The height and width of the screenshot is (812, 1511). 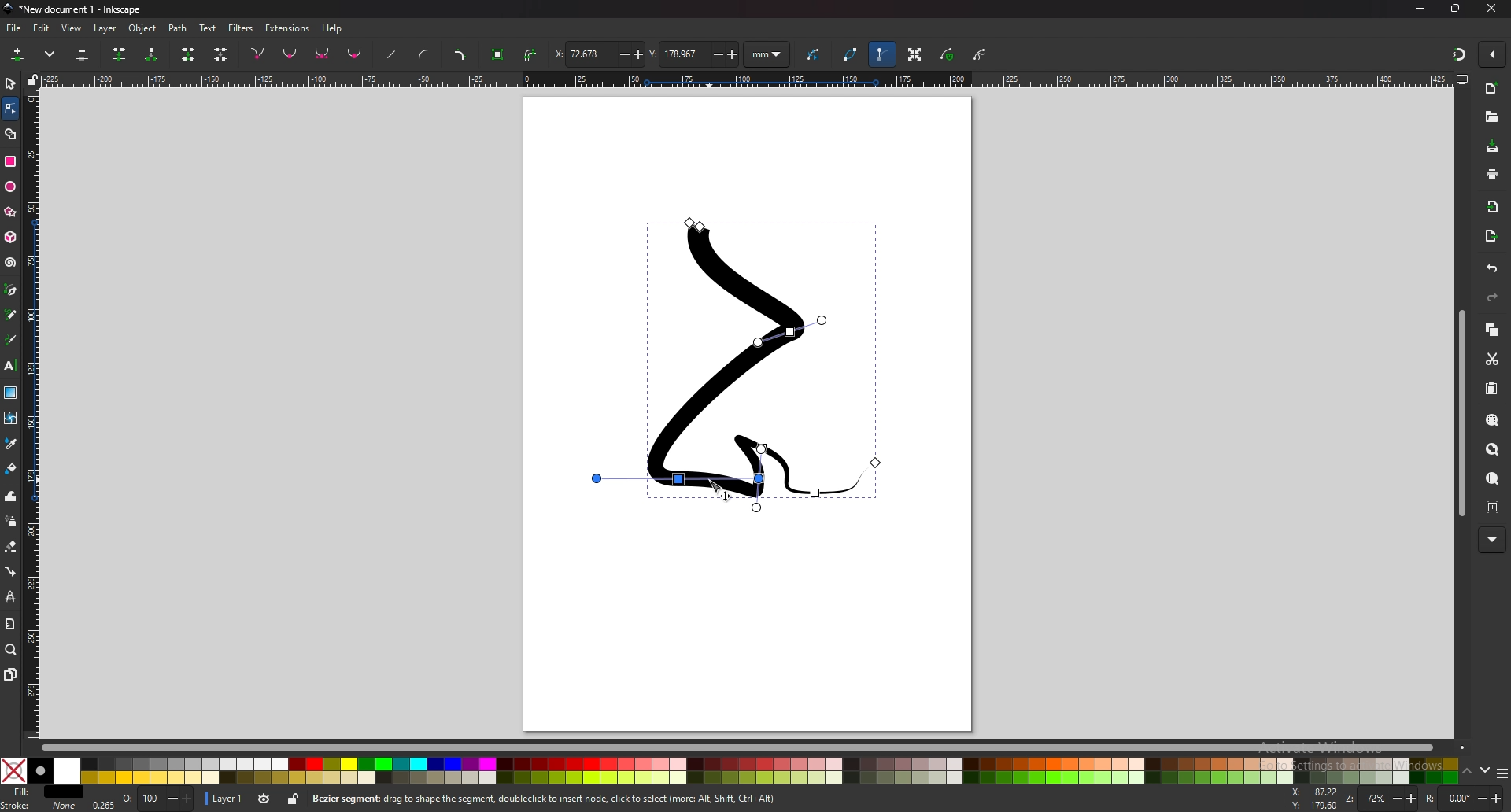 What do you see at coordinates (1459, 54) in the screenshot?
I see `snapper` at bounding box center [1459, 54].